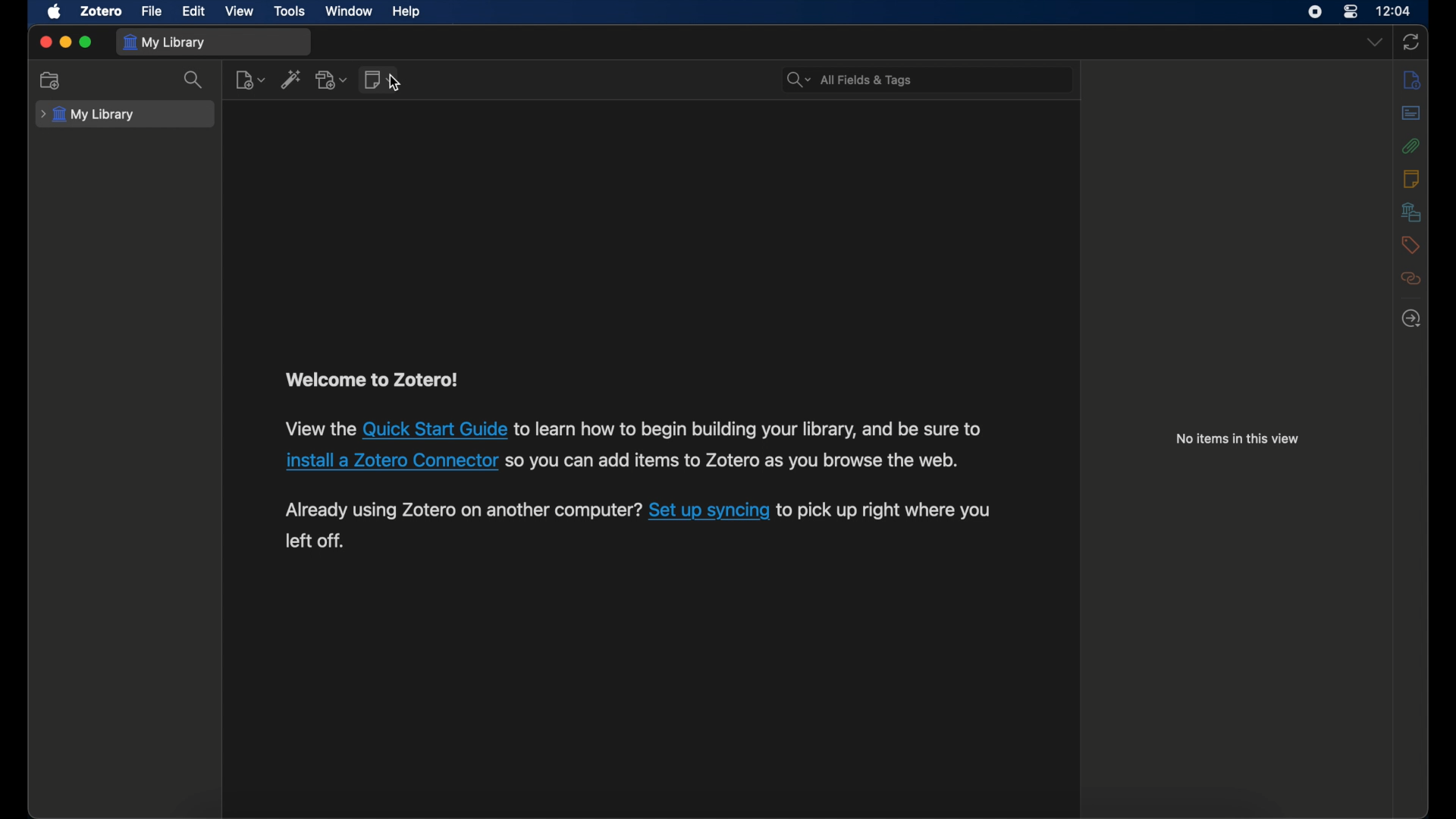 This screenshot has height=819, width=1456. Describe the element at coordinates (394, 83) in the screenshot. I see `cursor` at that location.